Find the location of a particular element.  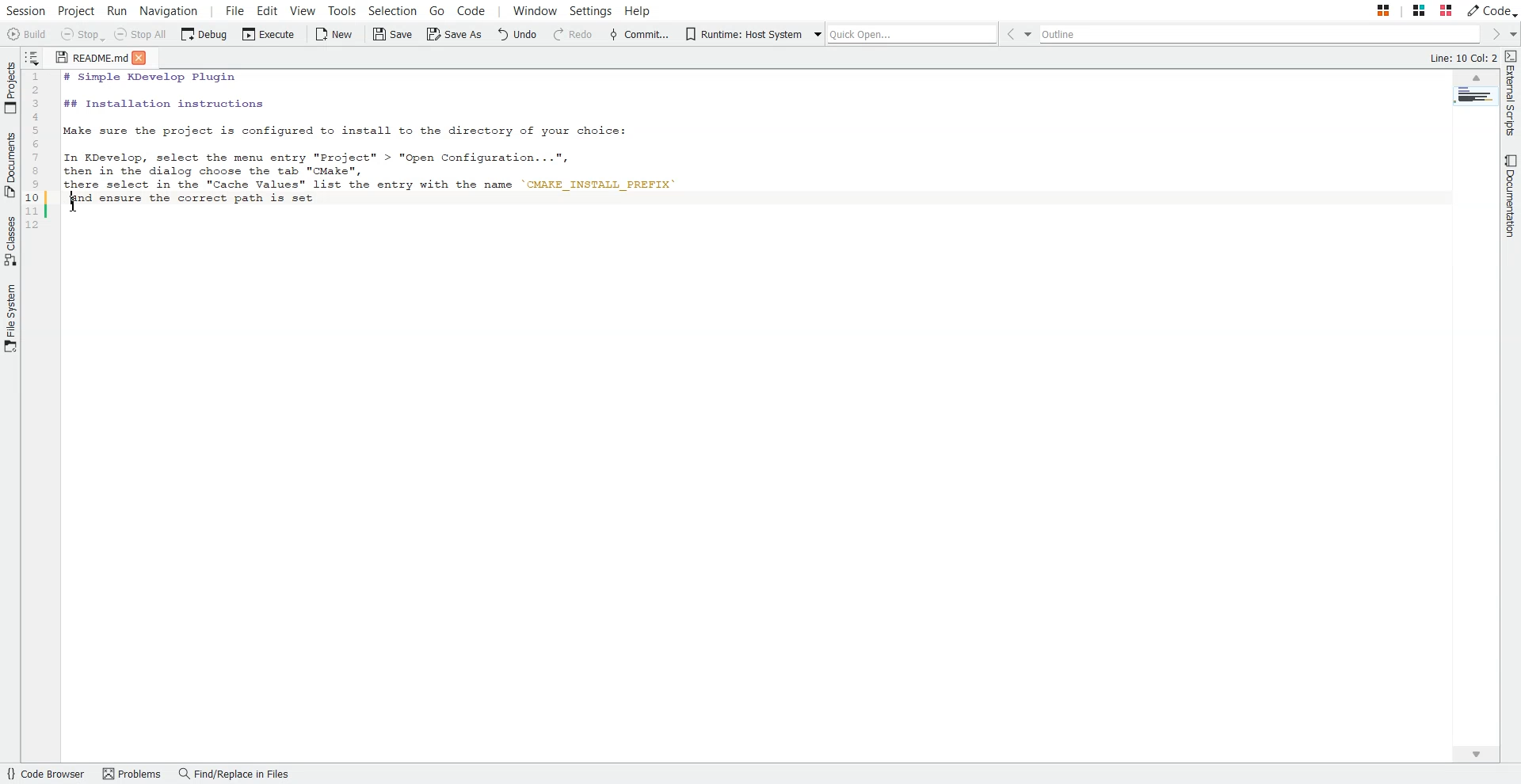

README.md (file) is located at coordinates (86, 57).